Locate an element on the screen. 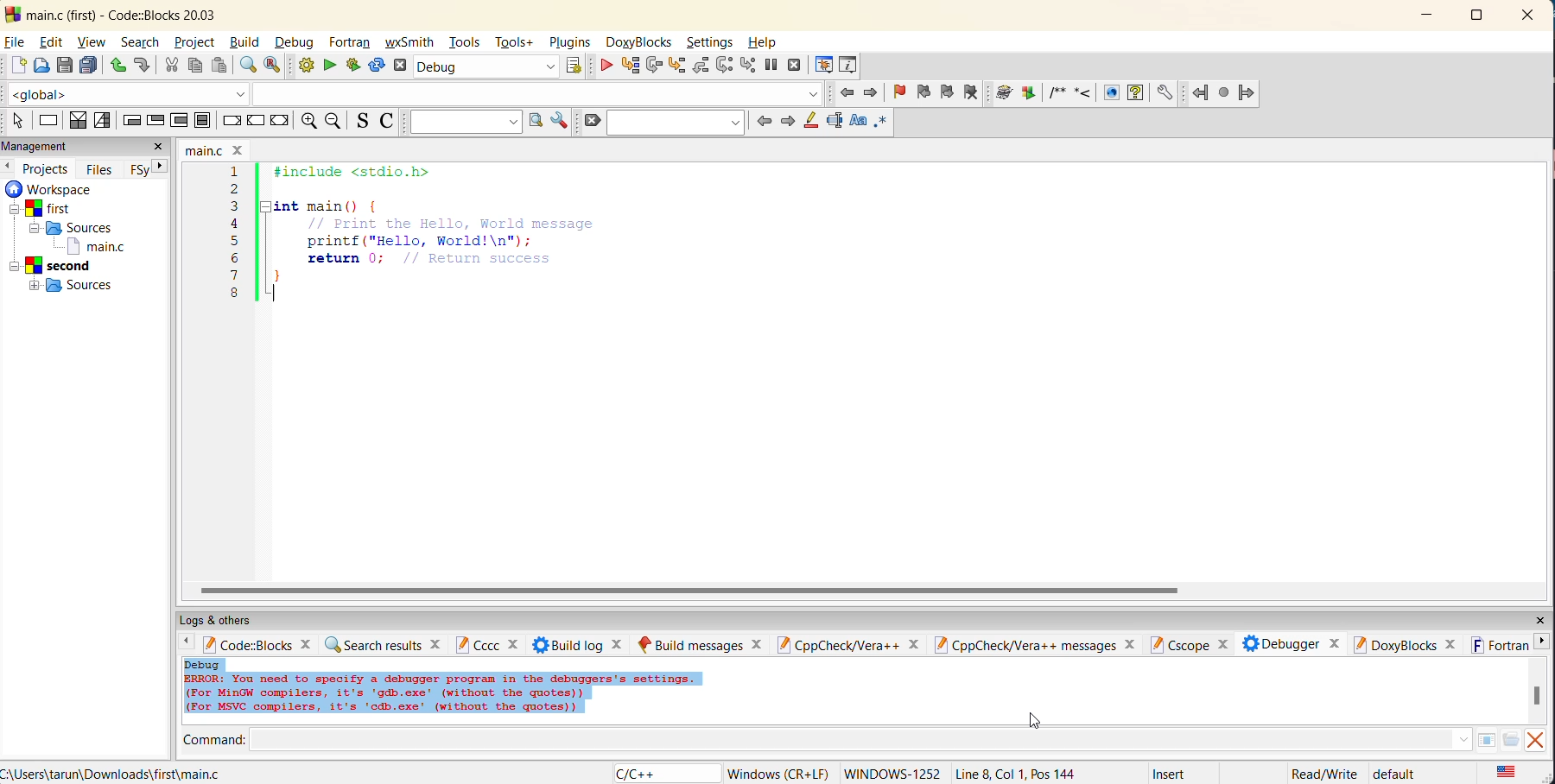  select is located at coordinates (18, 122).